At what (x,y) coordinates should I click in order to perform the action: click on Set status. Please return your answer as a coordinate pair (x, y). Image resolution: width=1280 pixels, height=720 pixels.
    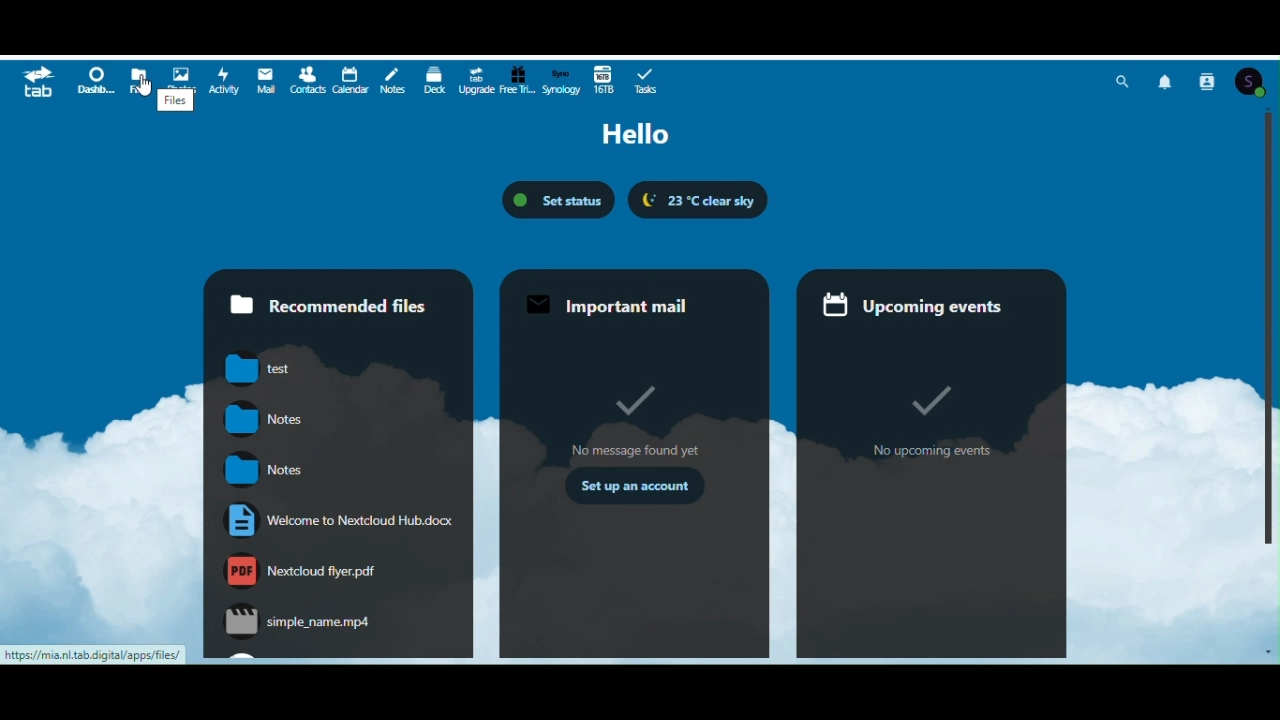
    Looking at the image, I should click on (559, 200).